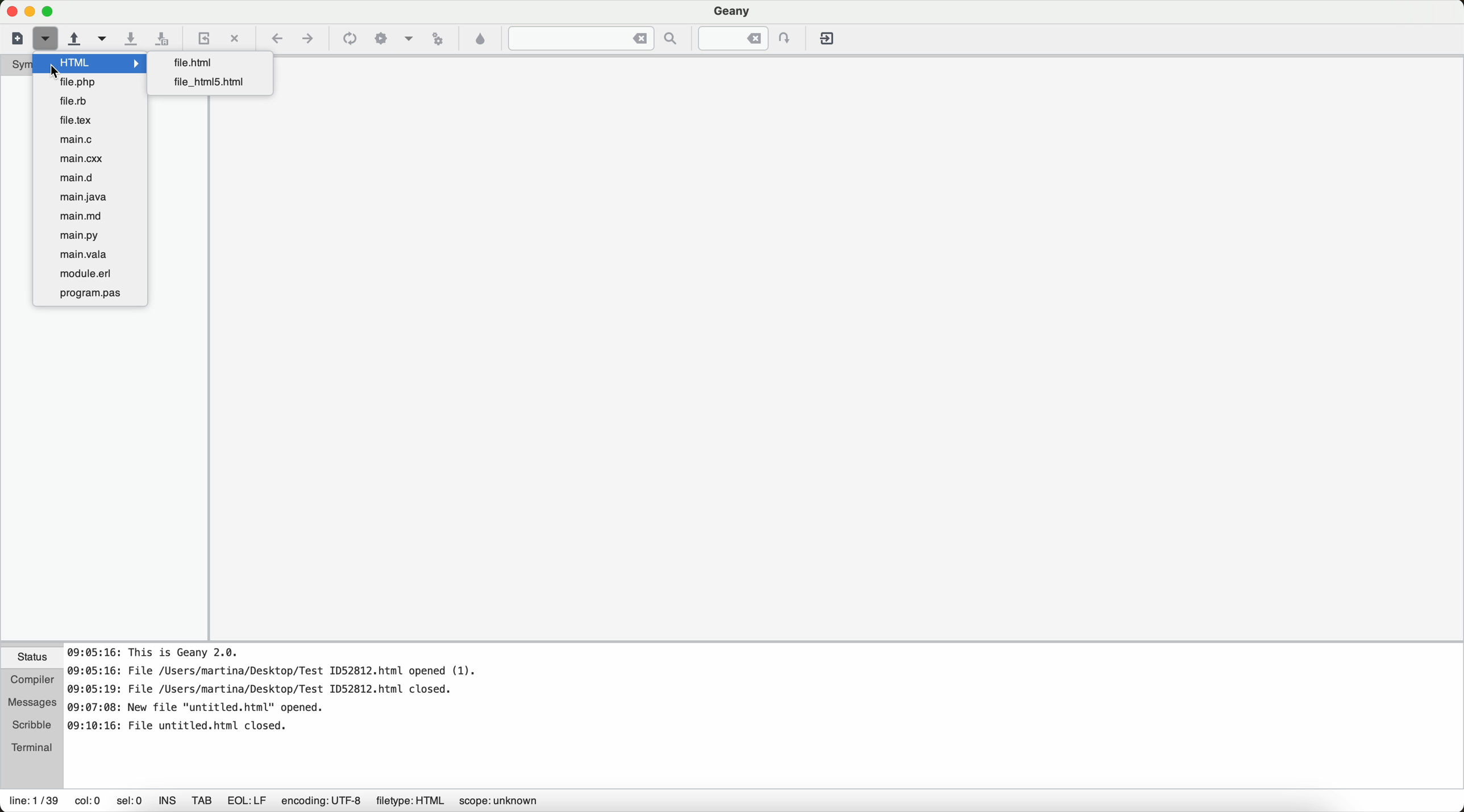  I want to click on information, so click(275, 800).